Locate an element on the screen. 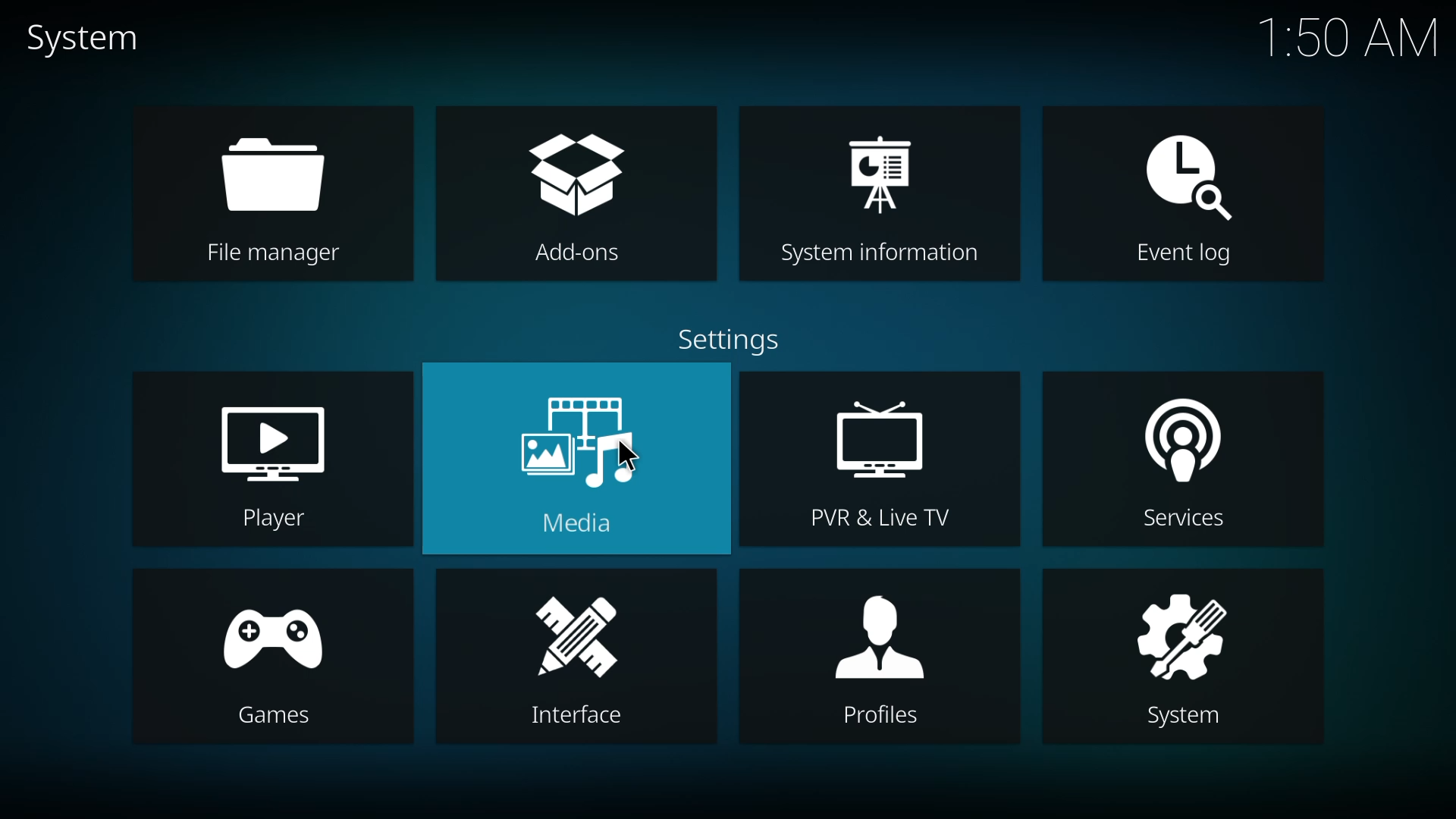 This screenshot has height=819, width=1456. settings is located at coordinates (726, 339).